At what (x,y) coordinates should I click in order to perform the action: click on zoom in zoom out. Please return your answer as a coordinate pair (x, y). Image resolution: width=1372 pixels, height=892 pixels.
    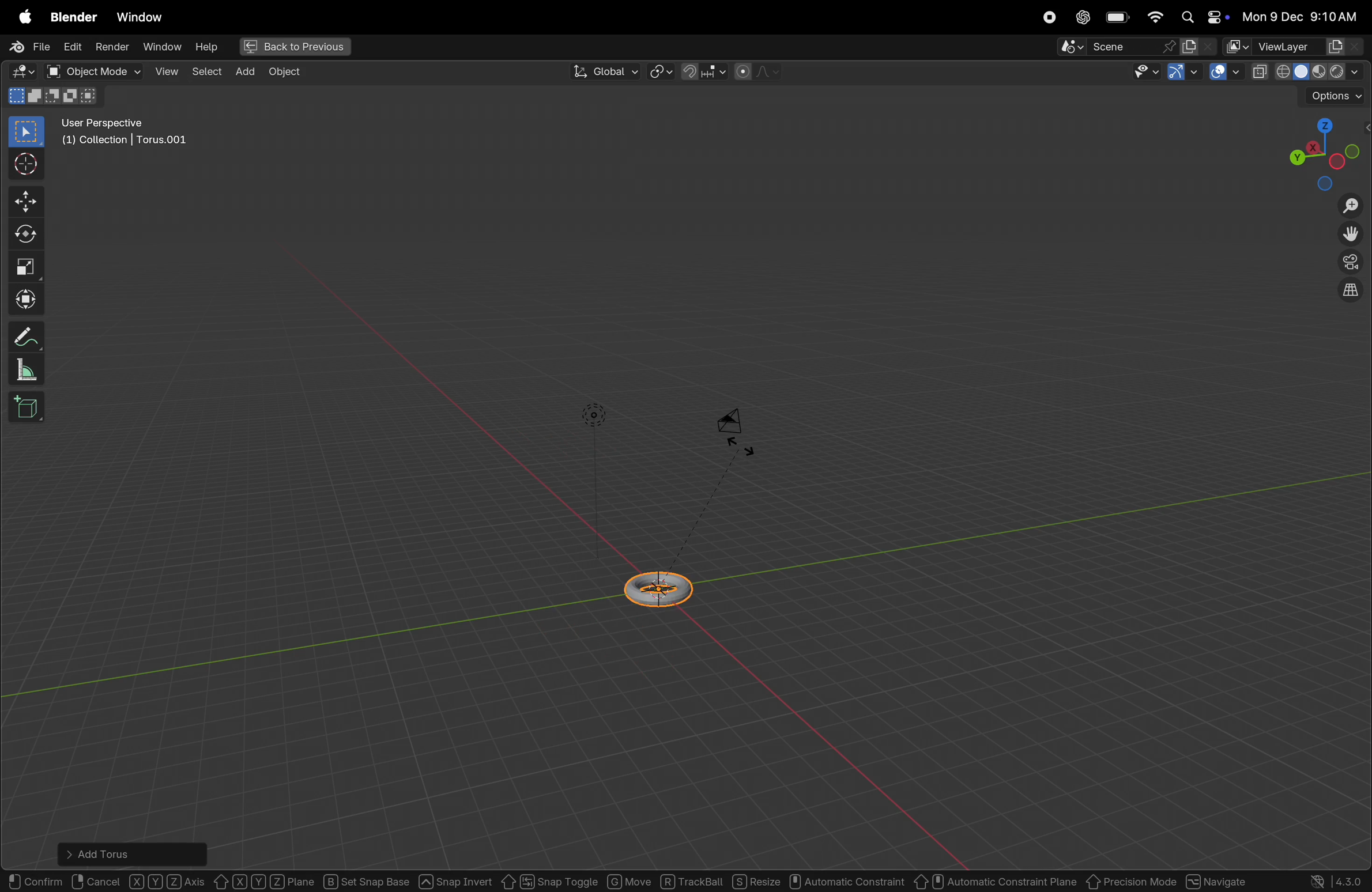
    Looking at the image, I should click on (1354, 206).